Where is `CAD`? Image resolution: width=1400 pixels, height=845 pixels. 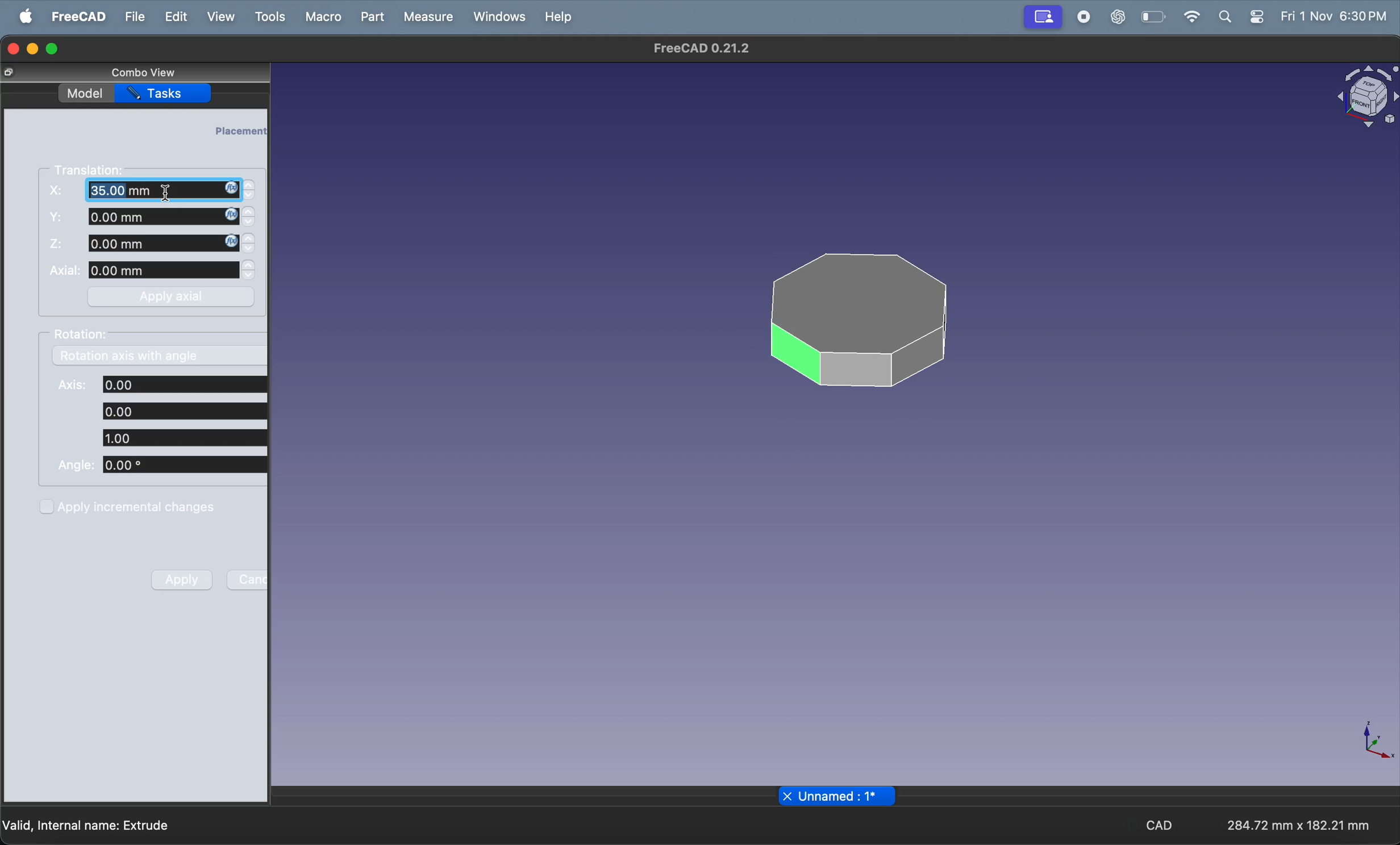 CAD is located at coordinates (1159, 826).